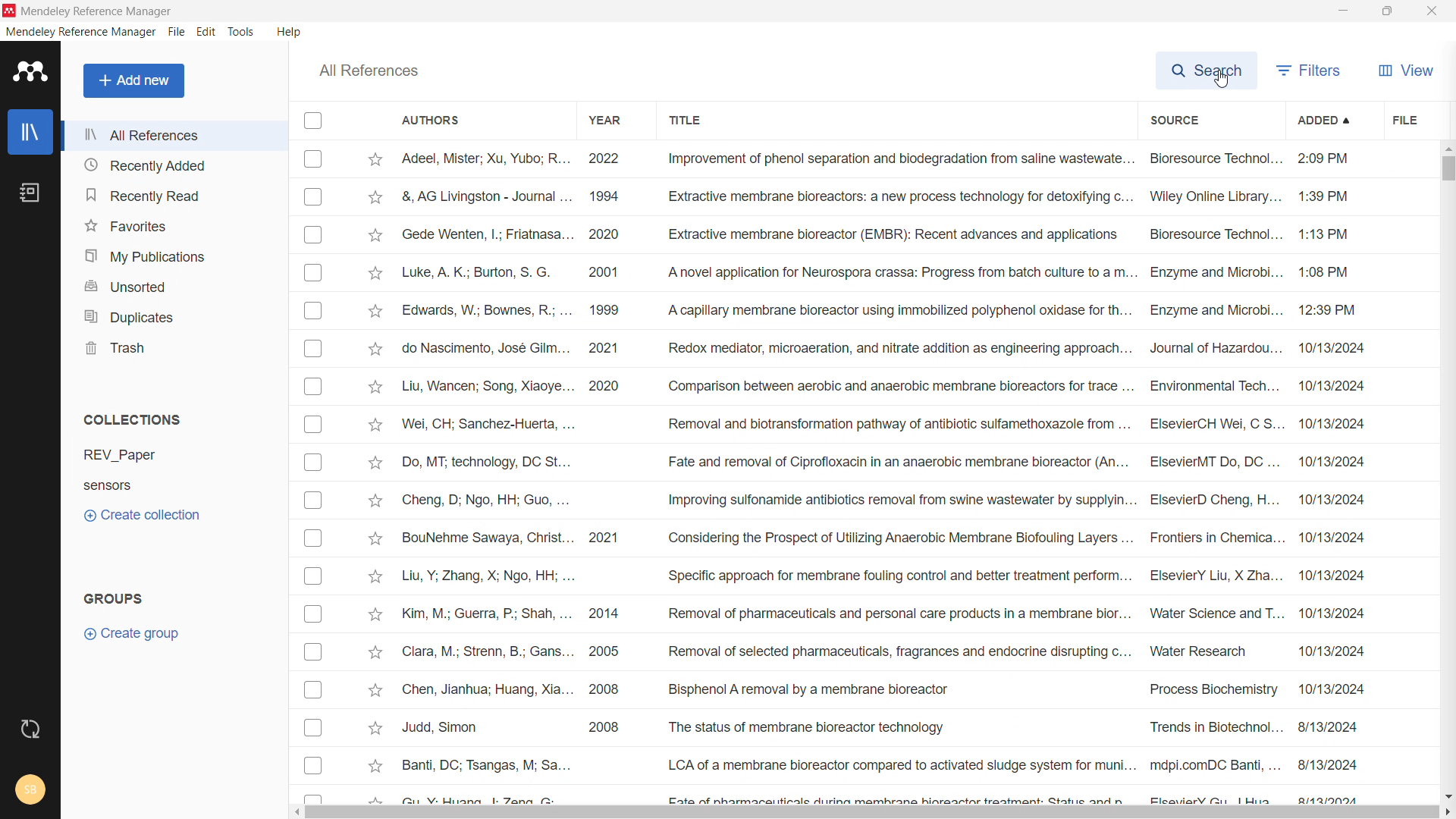  What do you see at coordinates (374, 689) in the screenshot?
I see `Add to favorites` at bounding box center [374, 689].